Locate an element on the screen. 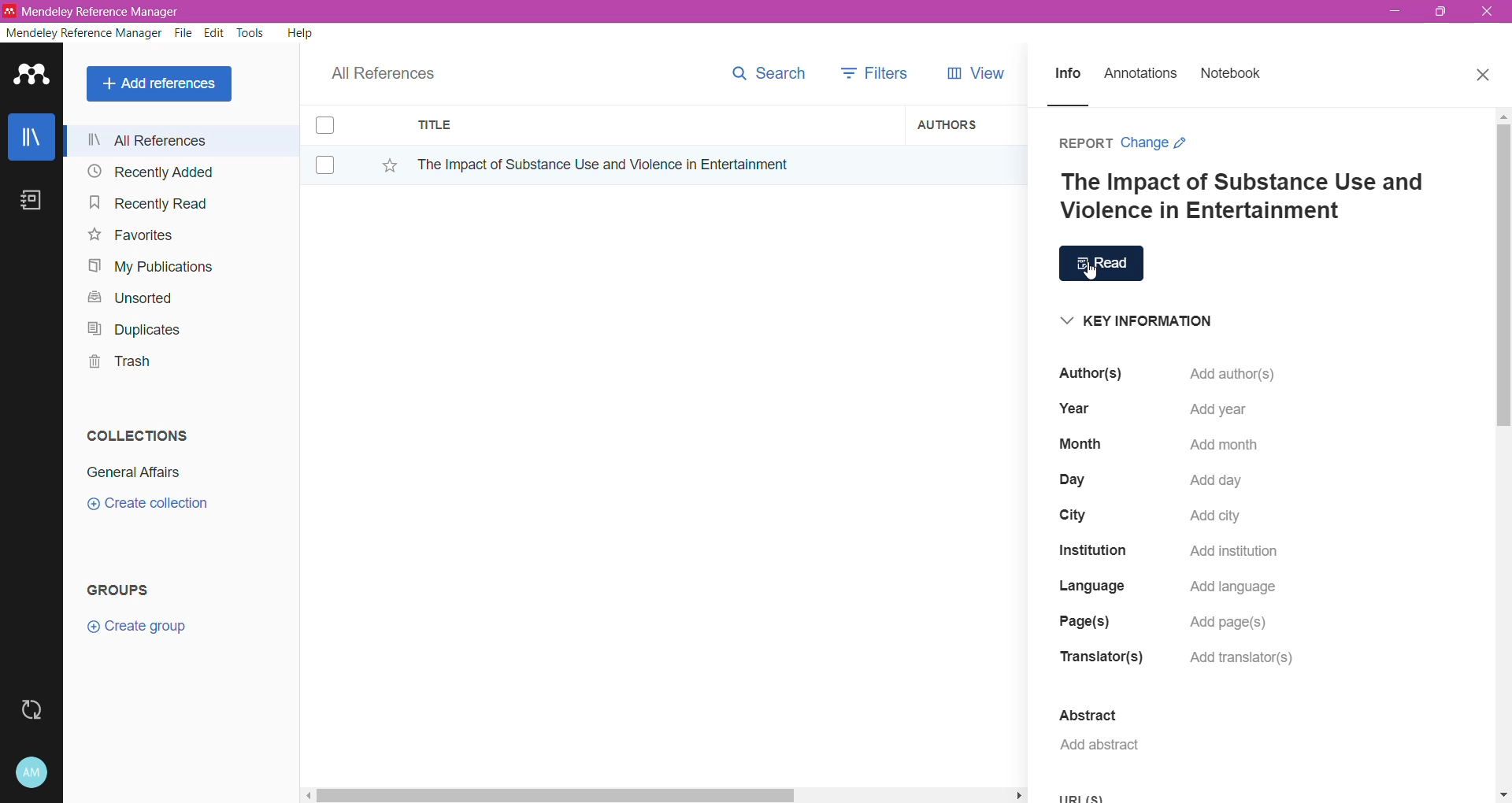 This screenshot has height=803, width=1512. Info is located at coordinates (1066, 75).